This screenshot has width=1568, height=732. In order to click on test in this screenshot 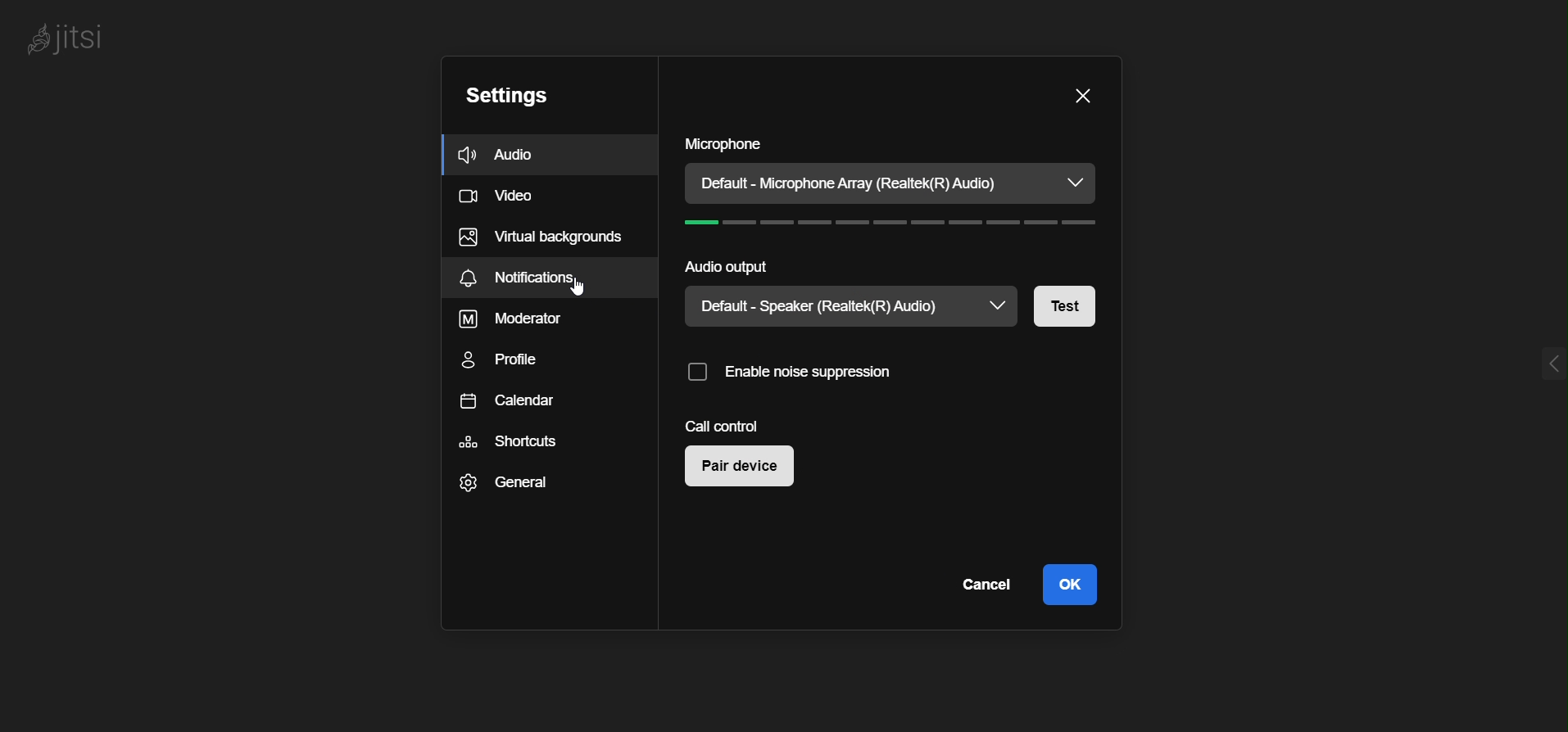, I will do `click(1063, 304)`.